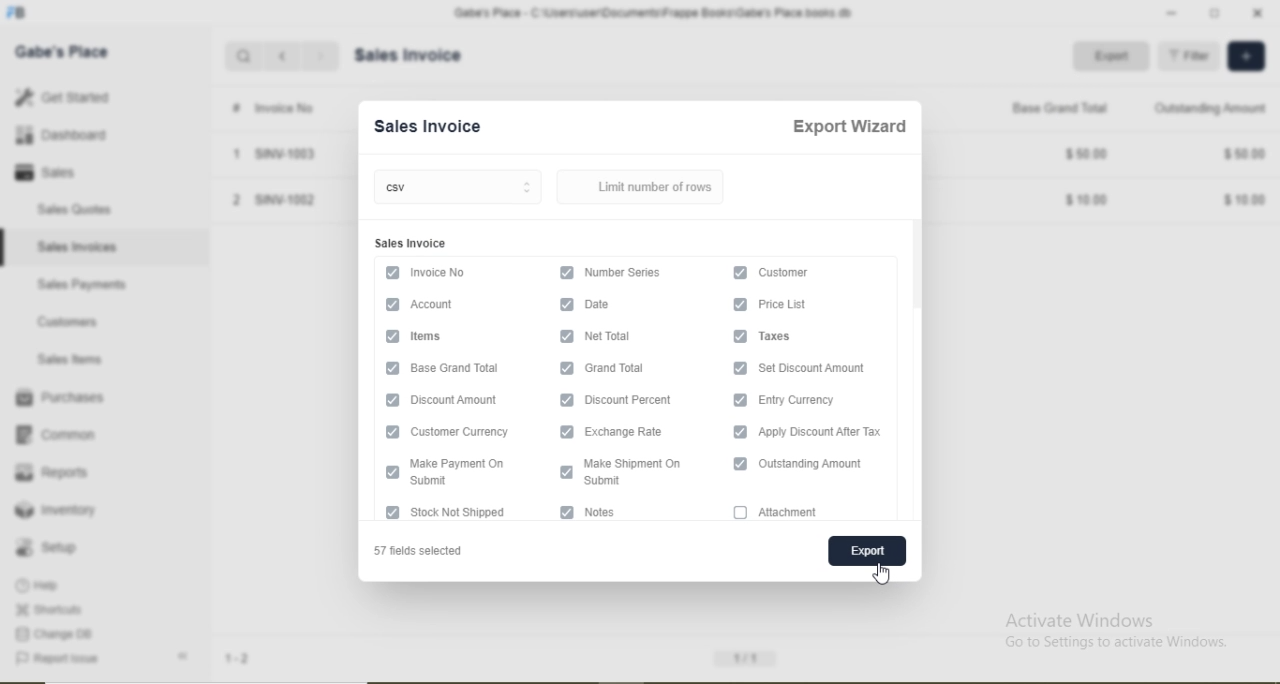  I want to click on back, so click(282, 56).